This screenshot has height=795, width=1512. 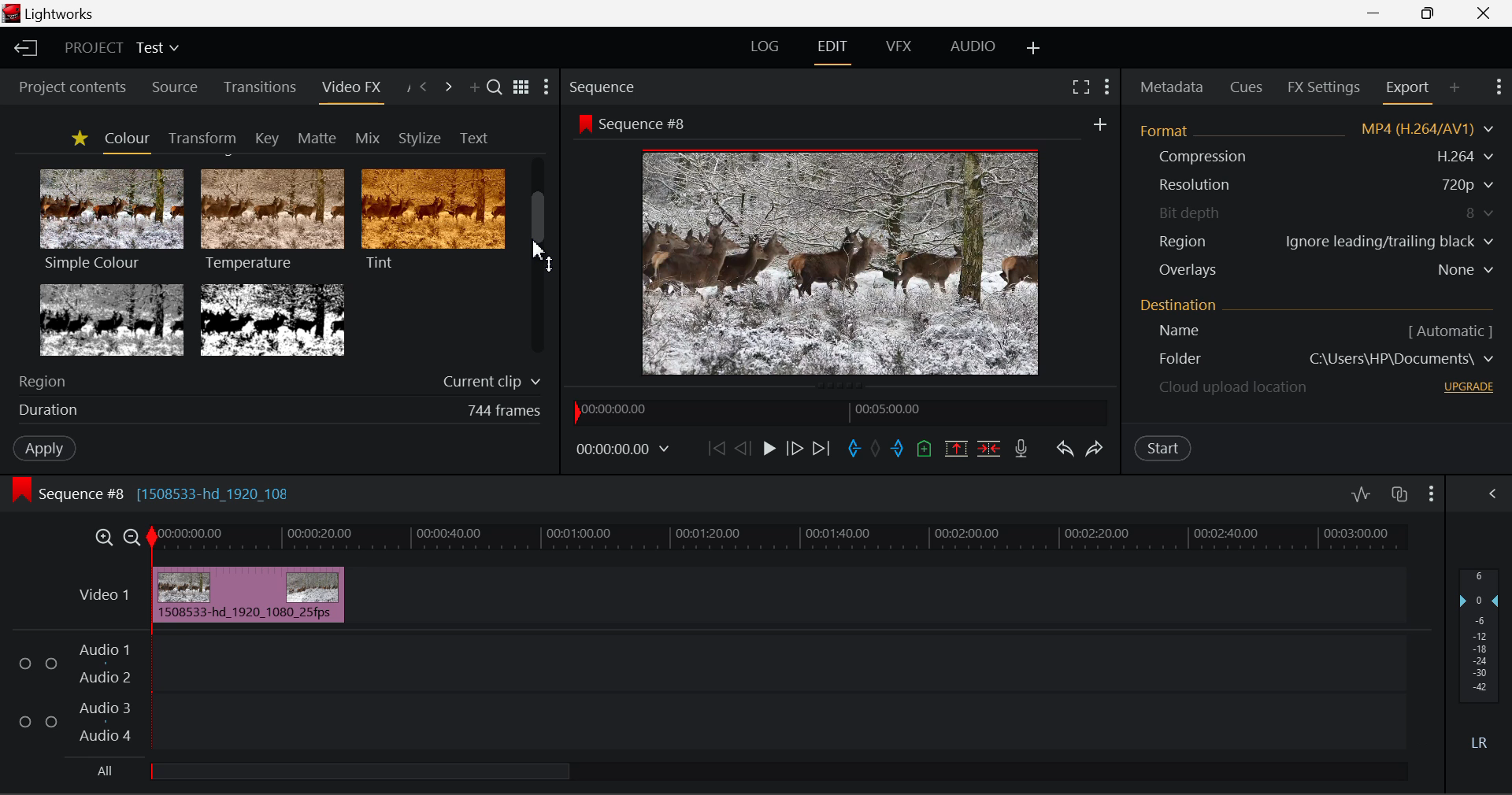 I want to click on Two Tone, so click(x=270, y=319).